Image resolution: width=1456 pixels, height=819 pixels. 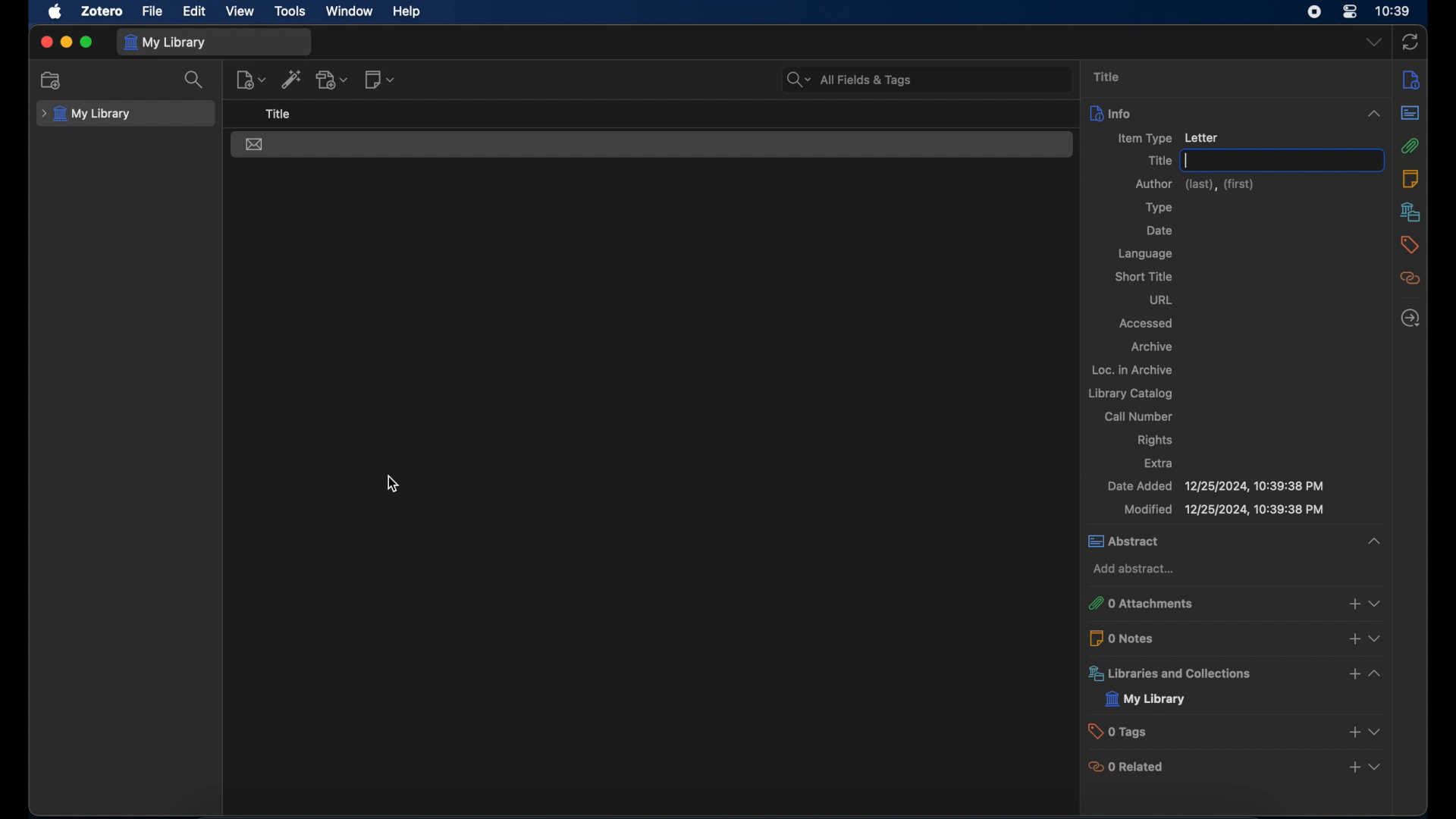 I want to click on view more, so click(x=1375, y=767).